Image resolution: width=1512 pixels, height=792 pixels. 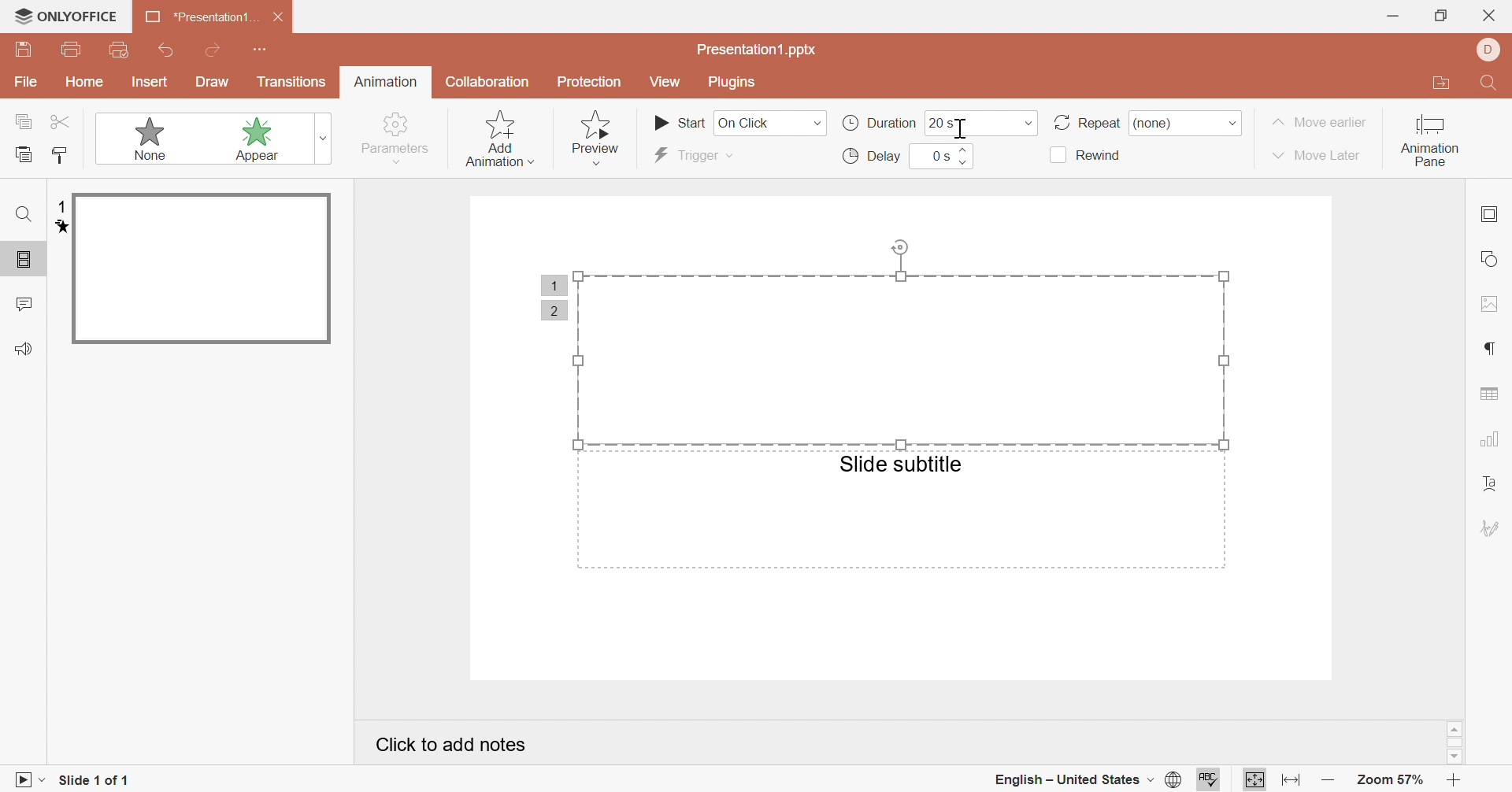 I want to click on comments, so click(x=23, y=302).